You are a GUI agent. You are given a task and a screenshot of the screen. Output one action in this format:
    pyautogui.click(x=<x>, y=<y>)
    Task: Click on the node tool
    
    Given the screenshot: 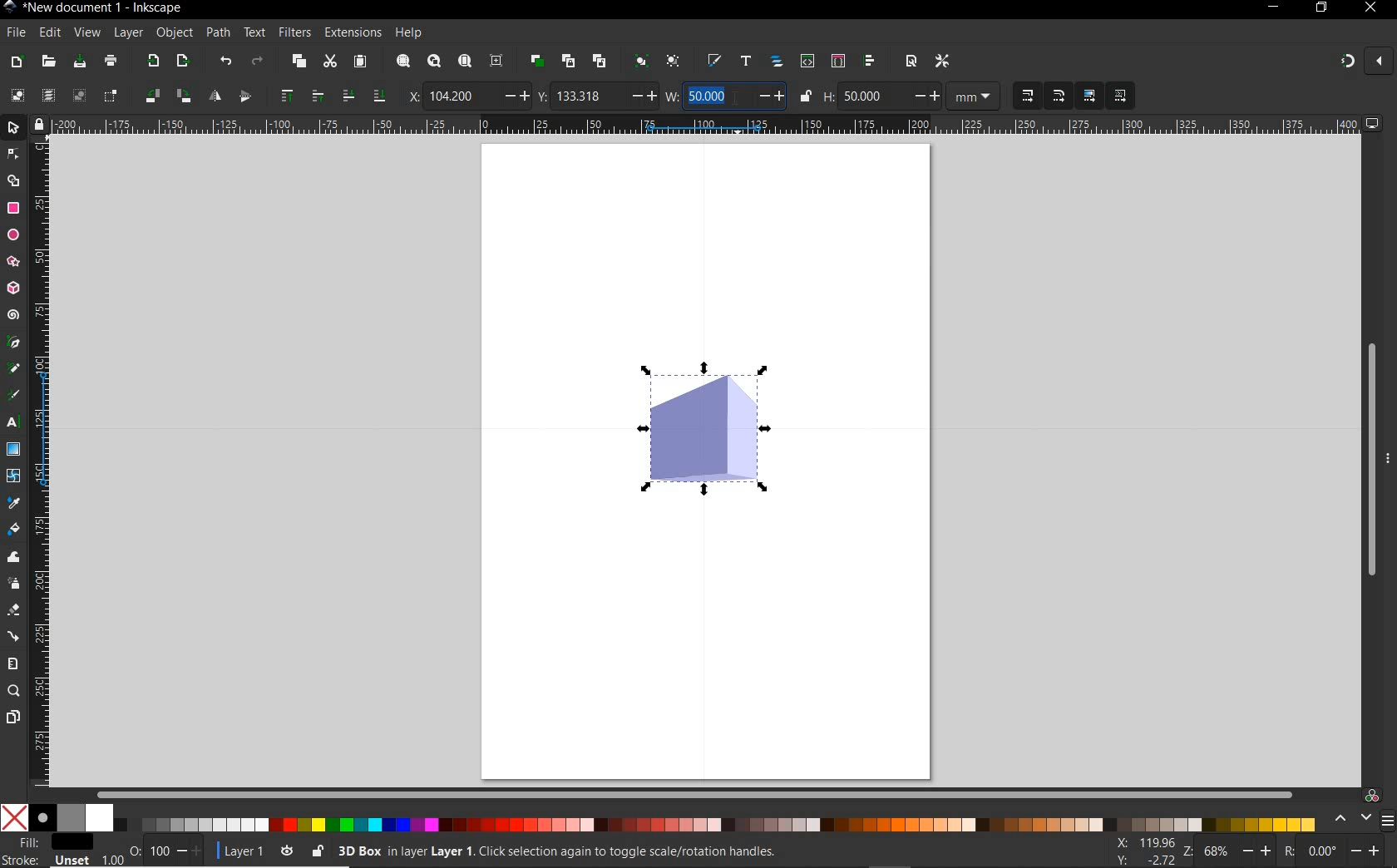 What is the action you would take?
    pyautogui.click(x=13, y=155)
    